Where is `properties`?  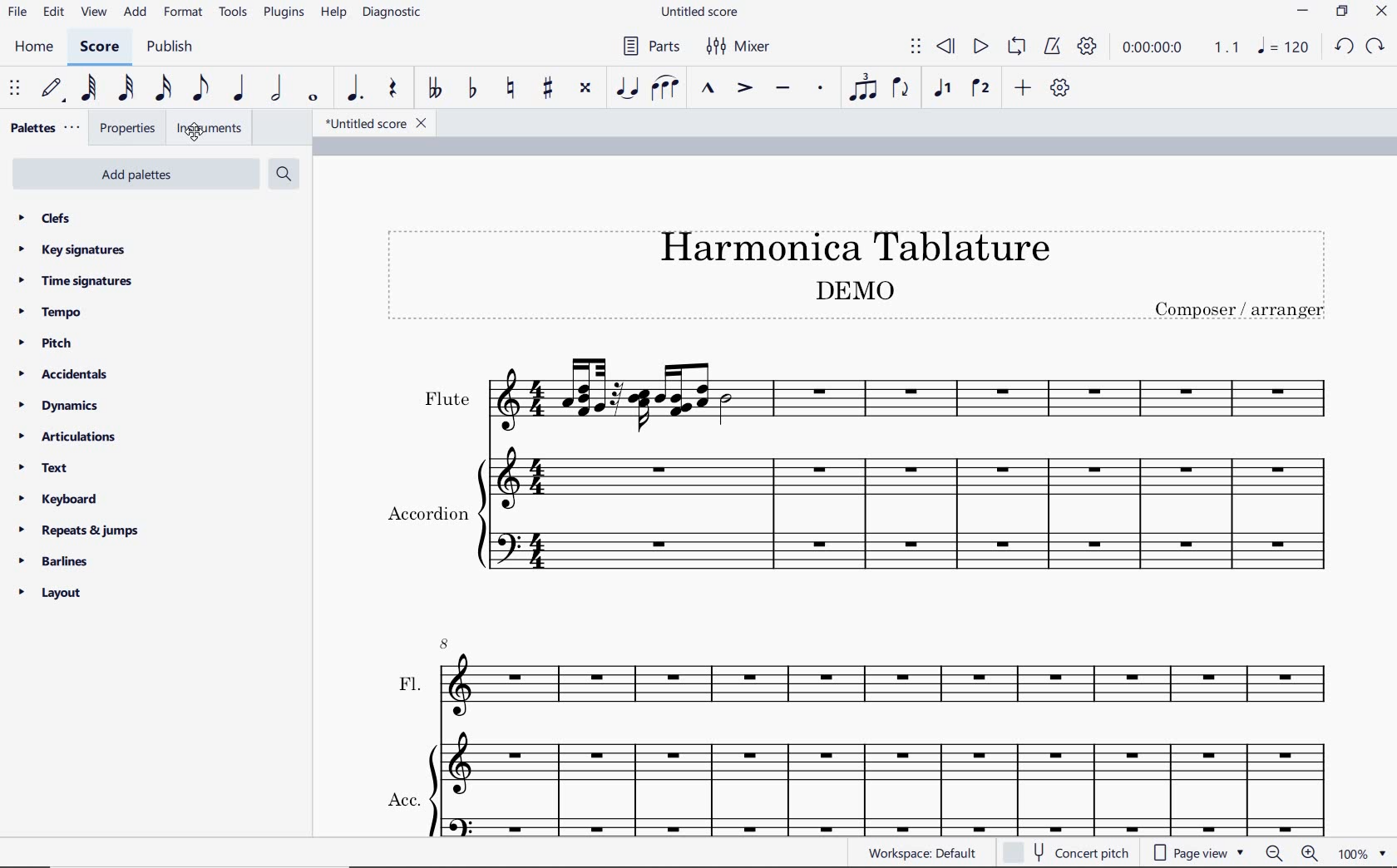 properties is located at coordinates (129, 128).